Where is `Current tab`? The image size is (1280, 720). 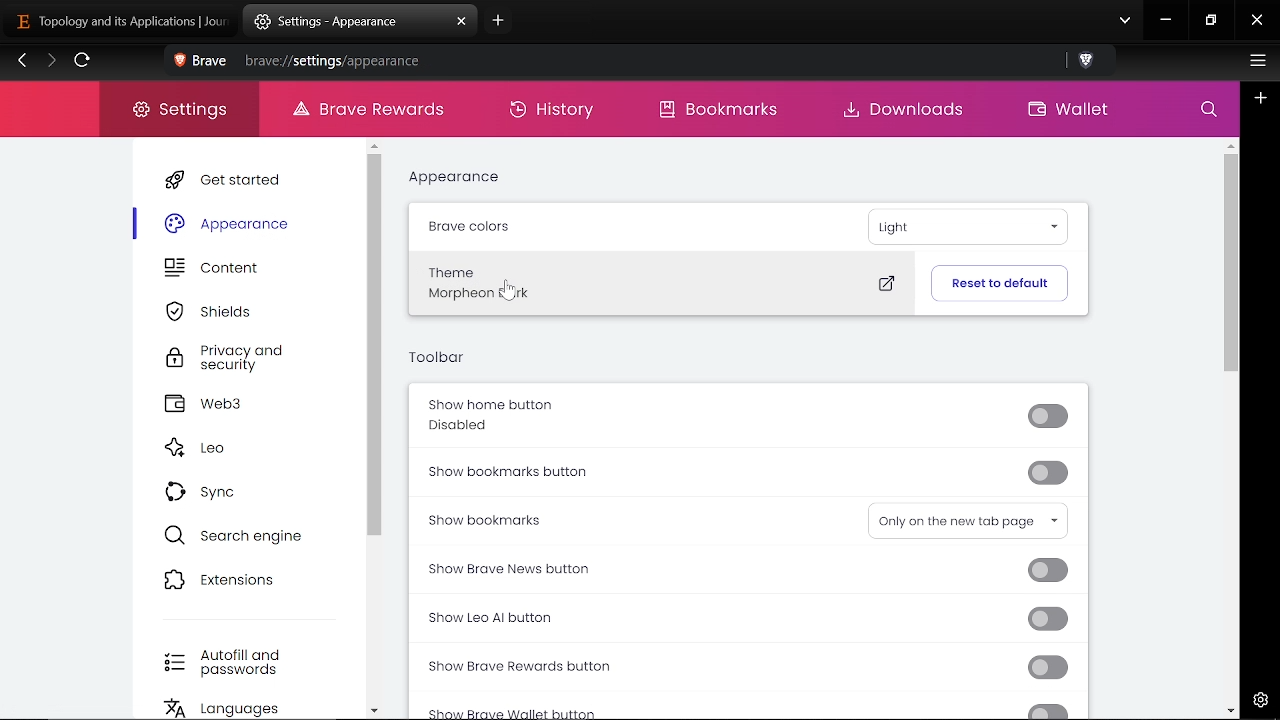
Current tab is located at coordinates (113, 20).